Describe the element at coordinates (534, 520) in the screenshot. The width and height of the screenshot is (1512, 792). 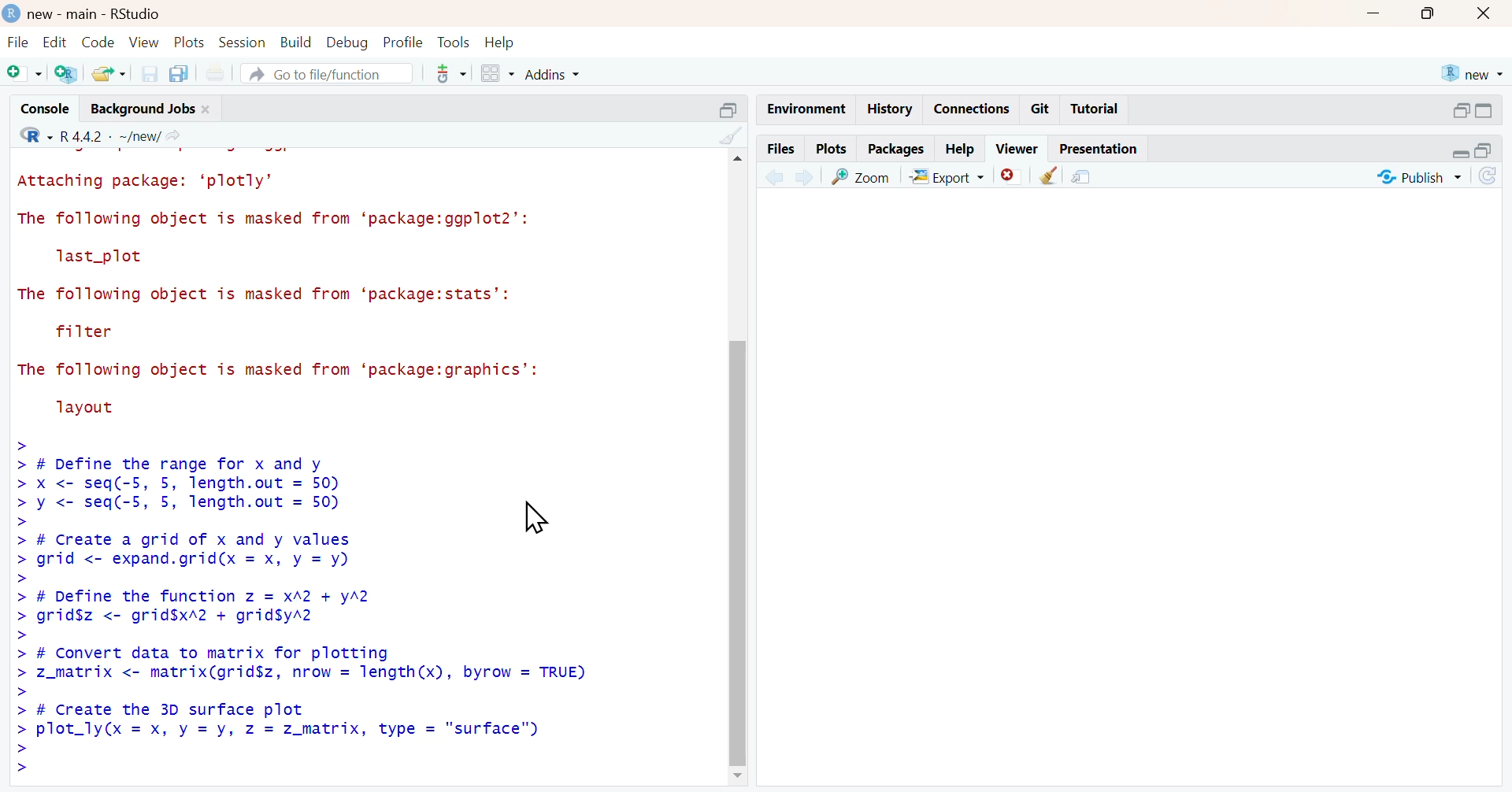
I see `cursor` at that location.